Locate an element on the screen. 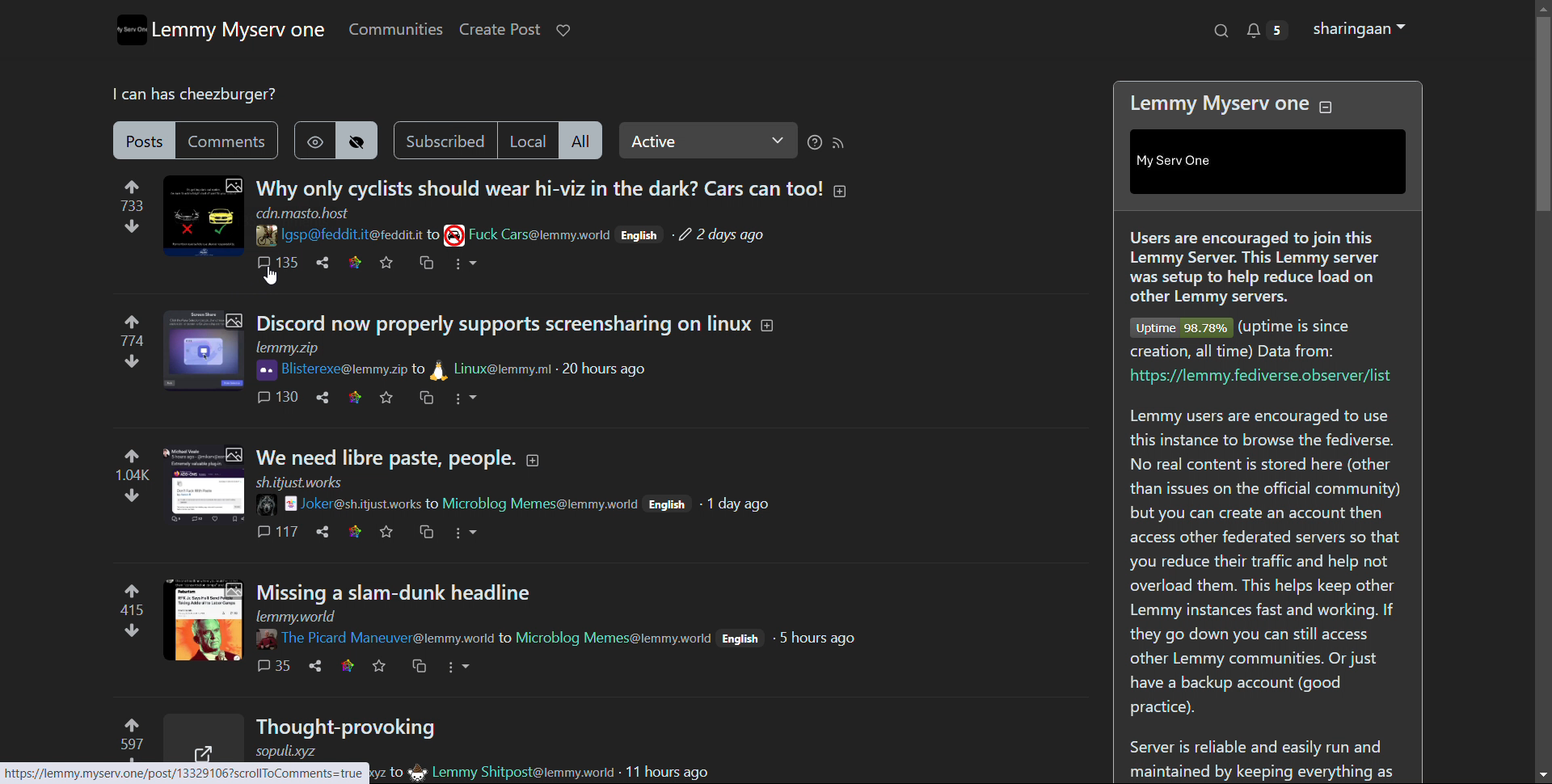  options is located at coordinates (466, 264).